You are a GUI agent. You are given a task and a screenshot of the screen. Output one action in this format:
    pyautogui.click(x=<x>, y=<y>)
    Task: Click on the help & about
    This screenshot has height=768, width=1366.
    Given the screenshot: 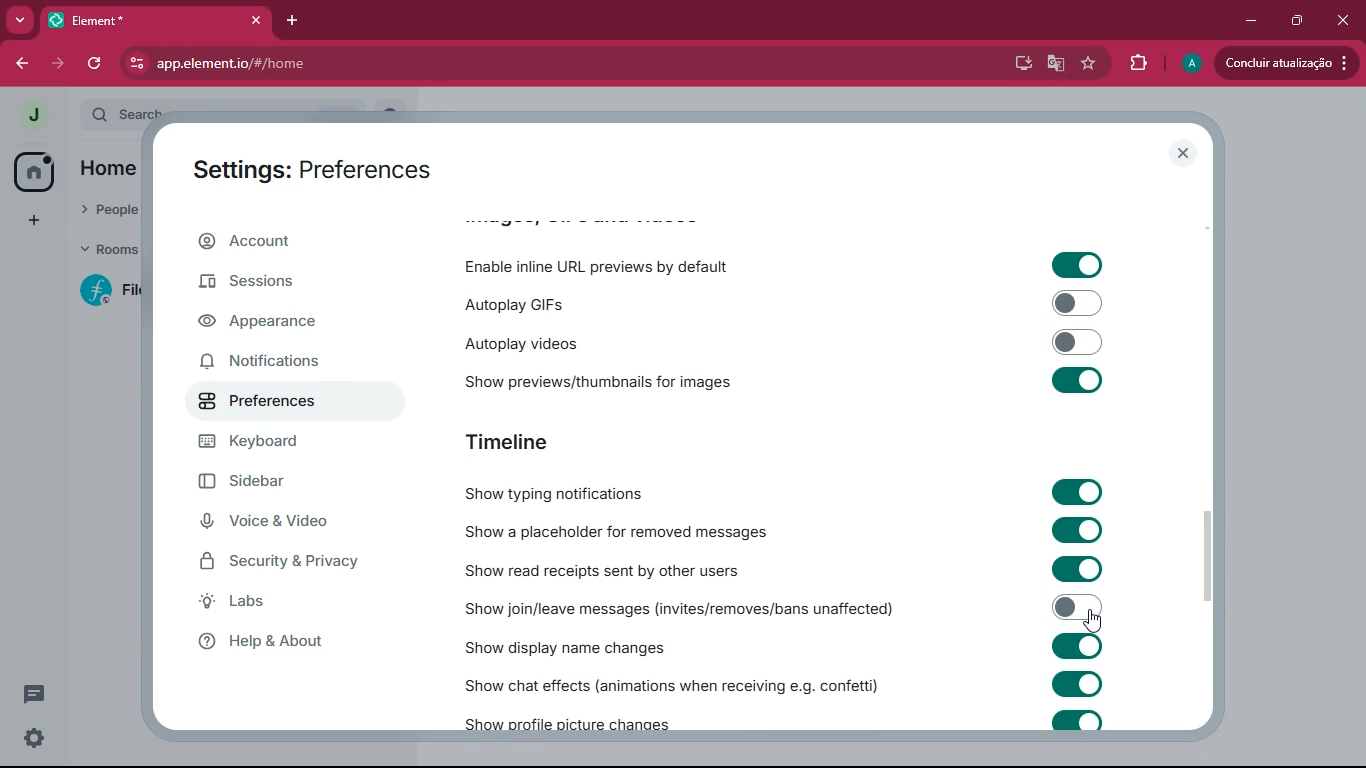 What is the action you would take?
    pyautogui.click(x=270, y=642)
    